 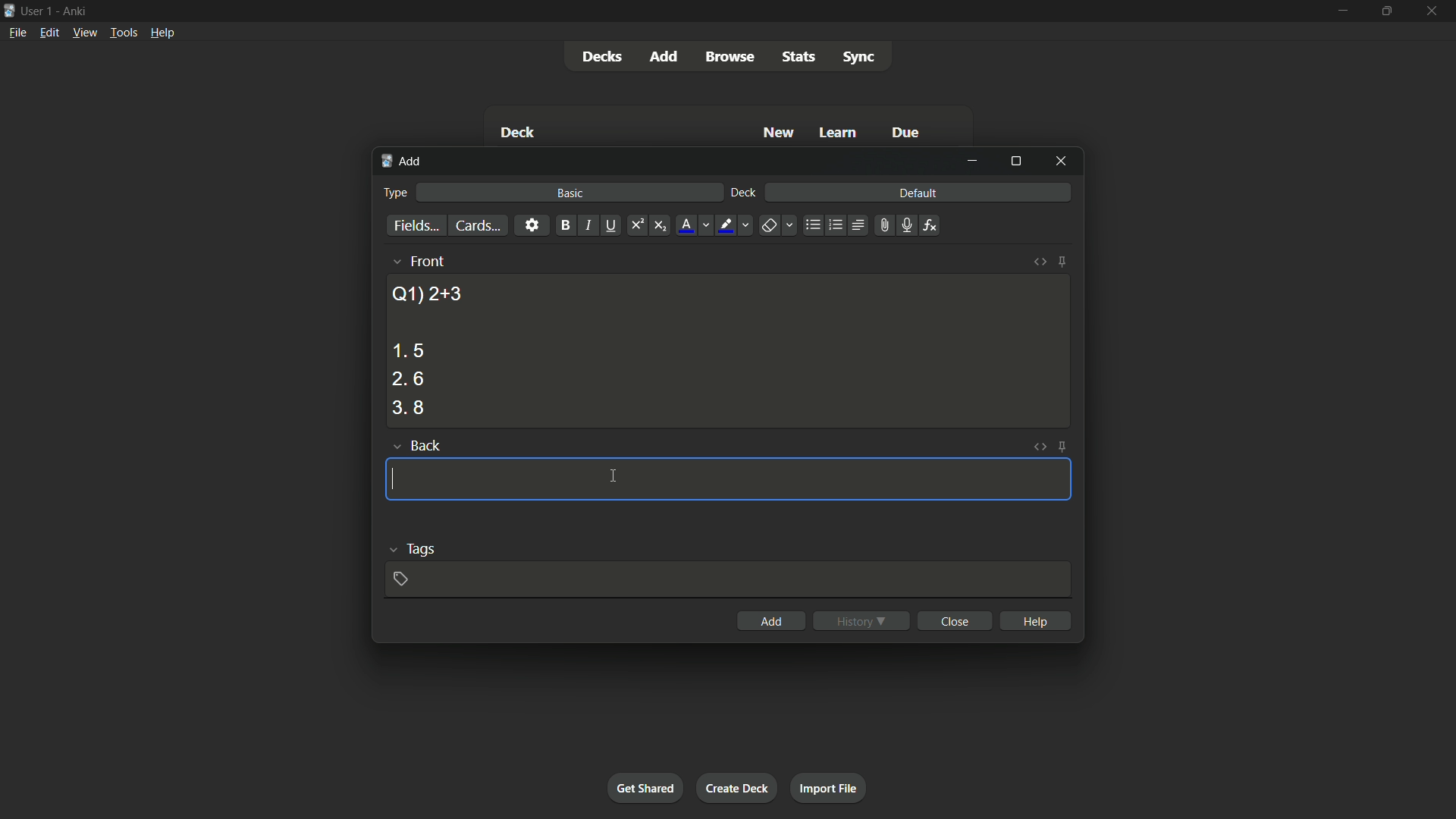 What do you see at coordinates (1341, 10) in the screenshot?
I see `minimize` at bounding box center [1341, 10].